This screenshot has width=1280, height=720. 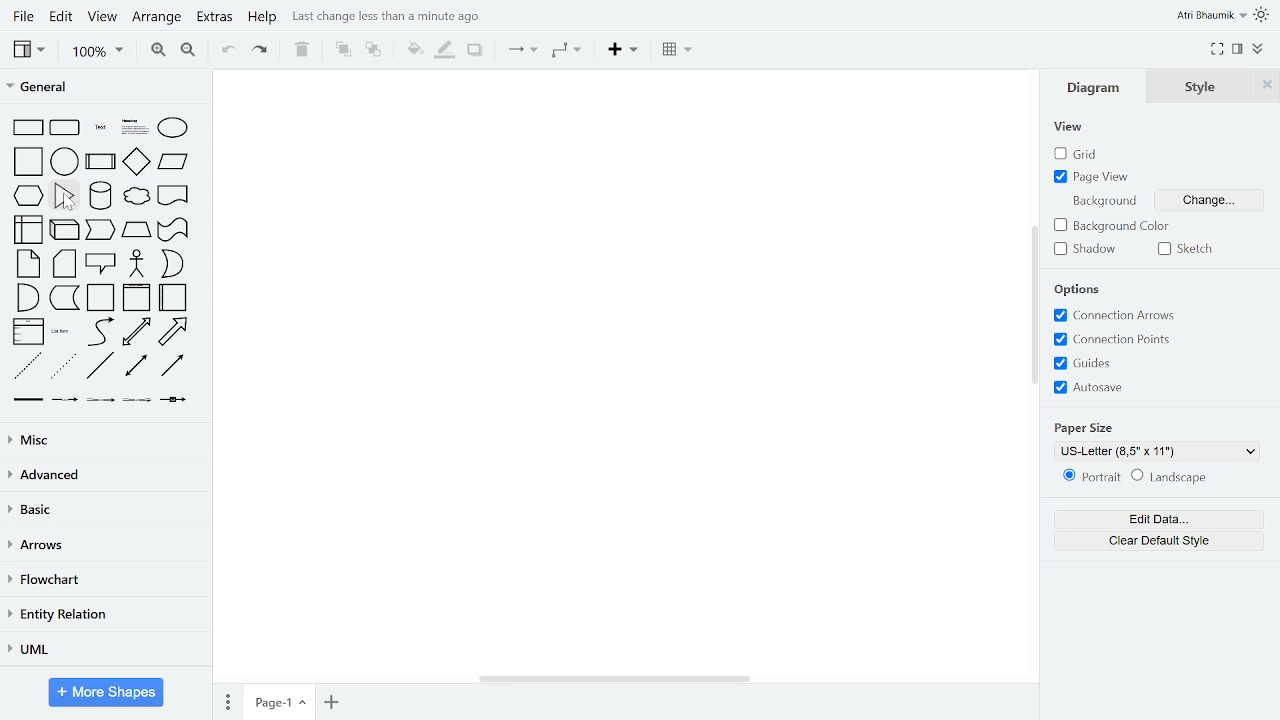 What do you see at coordinates (173, 162) in the screenshot?
I see `parallelogram` at bounding box center [173, 162].